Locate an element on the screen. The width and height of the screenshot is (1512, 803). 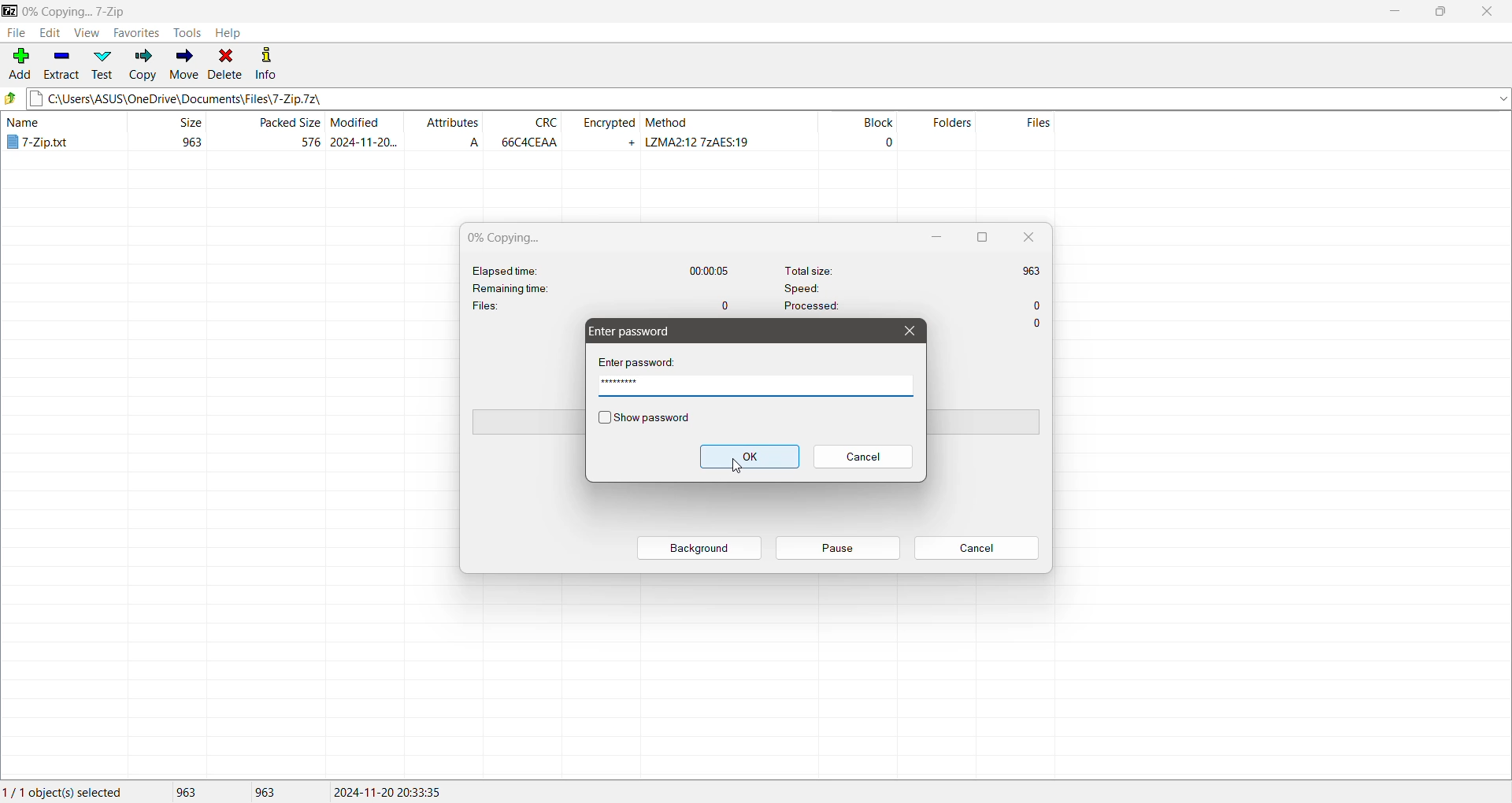
Close is located at coordinates (1489, 12).